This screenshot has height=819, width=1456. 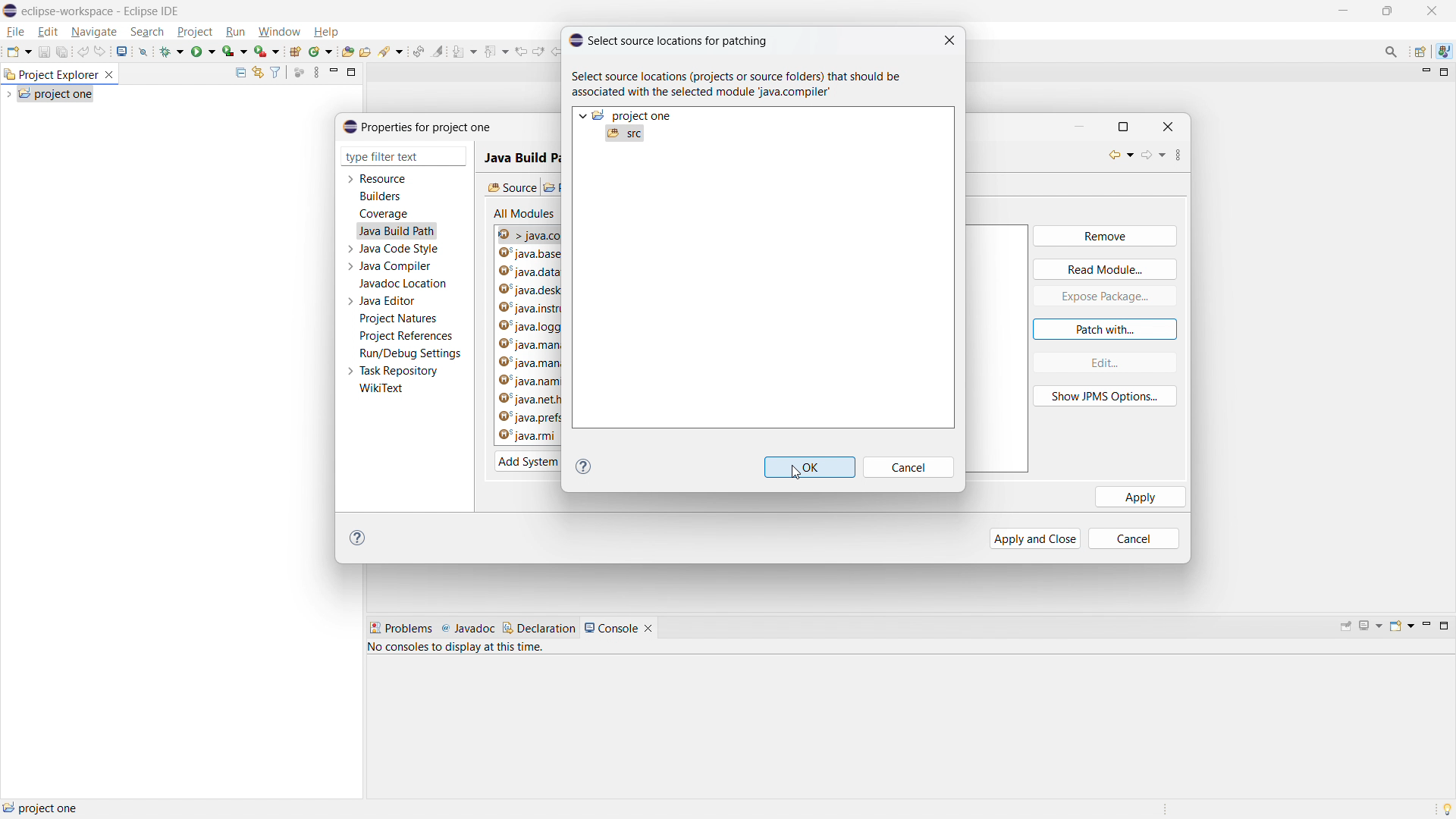 I want to click on expand java code style, so click(x=350, y=247).